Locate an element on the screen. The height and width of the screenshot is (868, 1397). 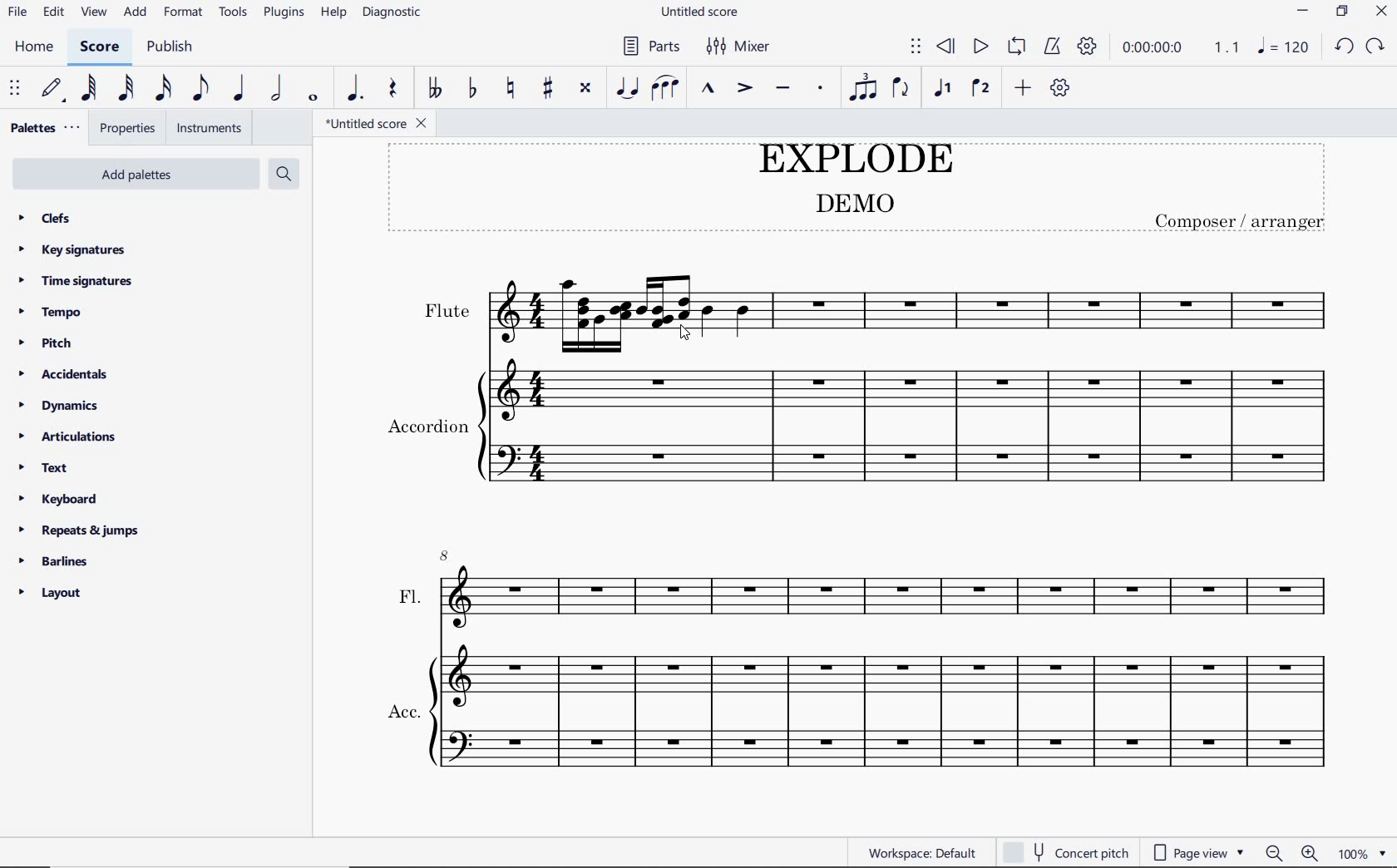
tie is located at coordinates (627, 86).